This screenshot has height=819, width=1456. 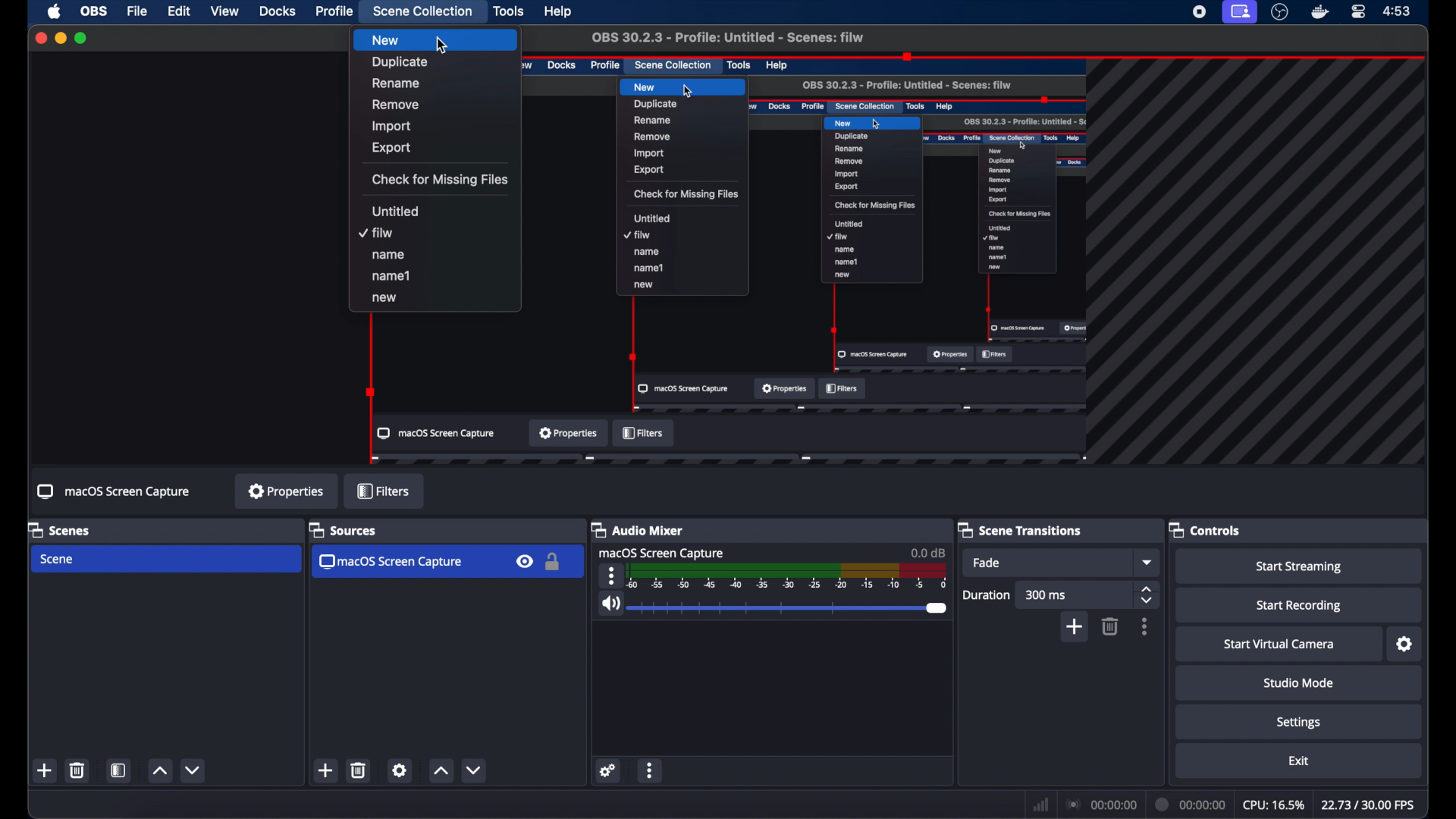 What do you see at coordinates (650, 773) in the screenshot?
I see `more options` at bounding box center [650, 773].